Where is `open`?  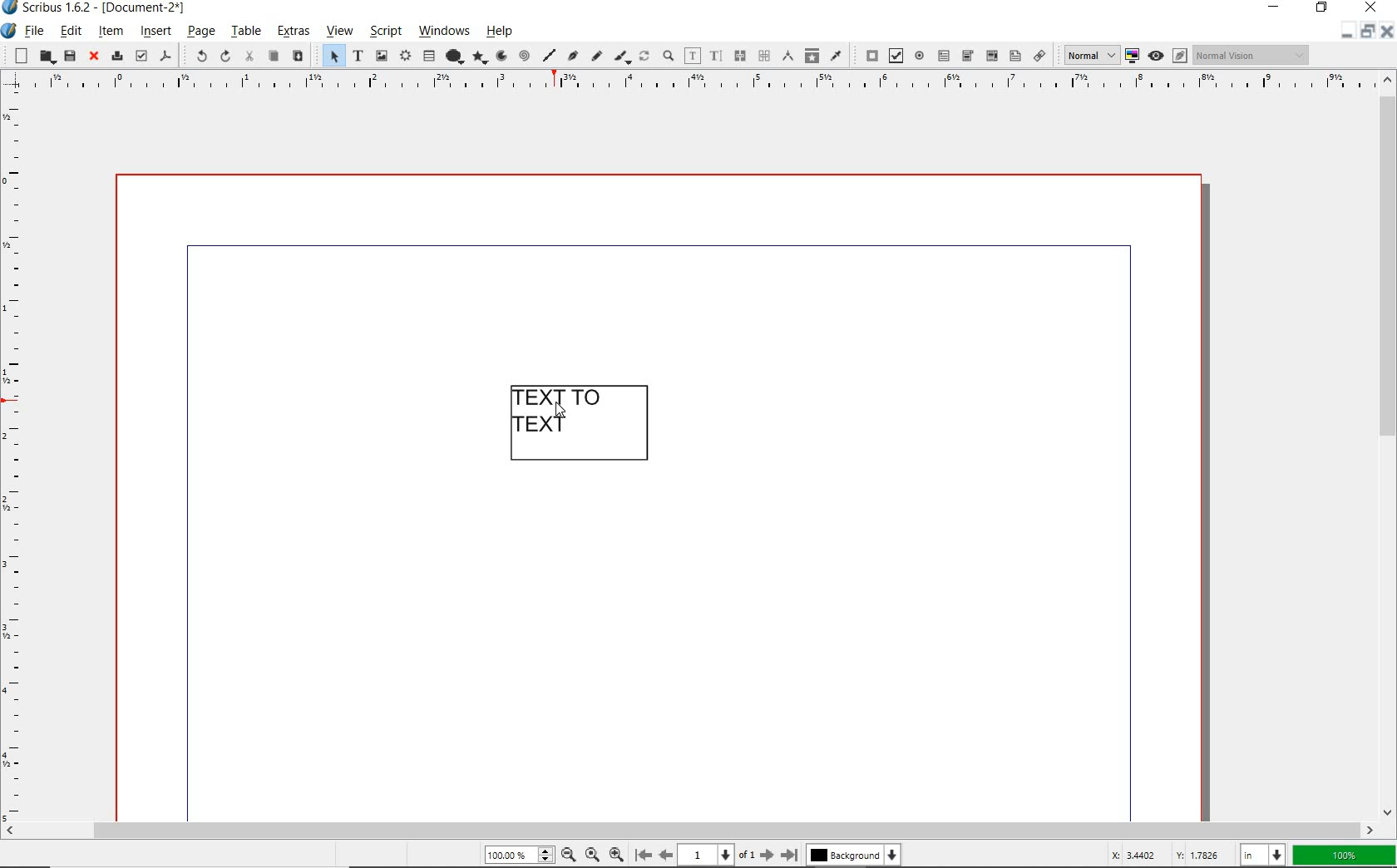
open is located at coordinates (47, 57).